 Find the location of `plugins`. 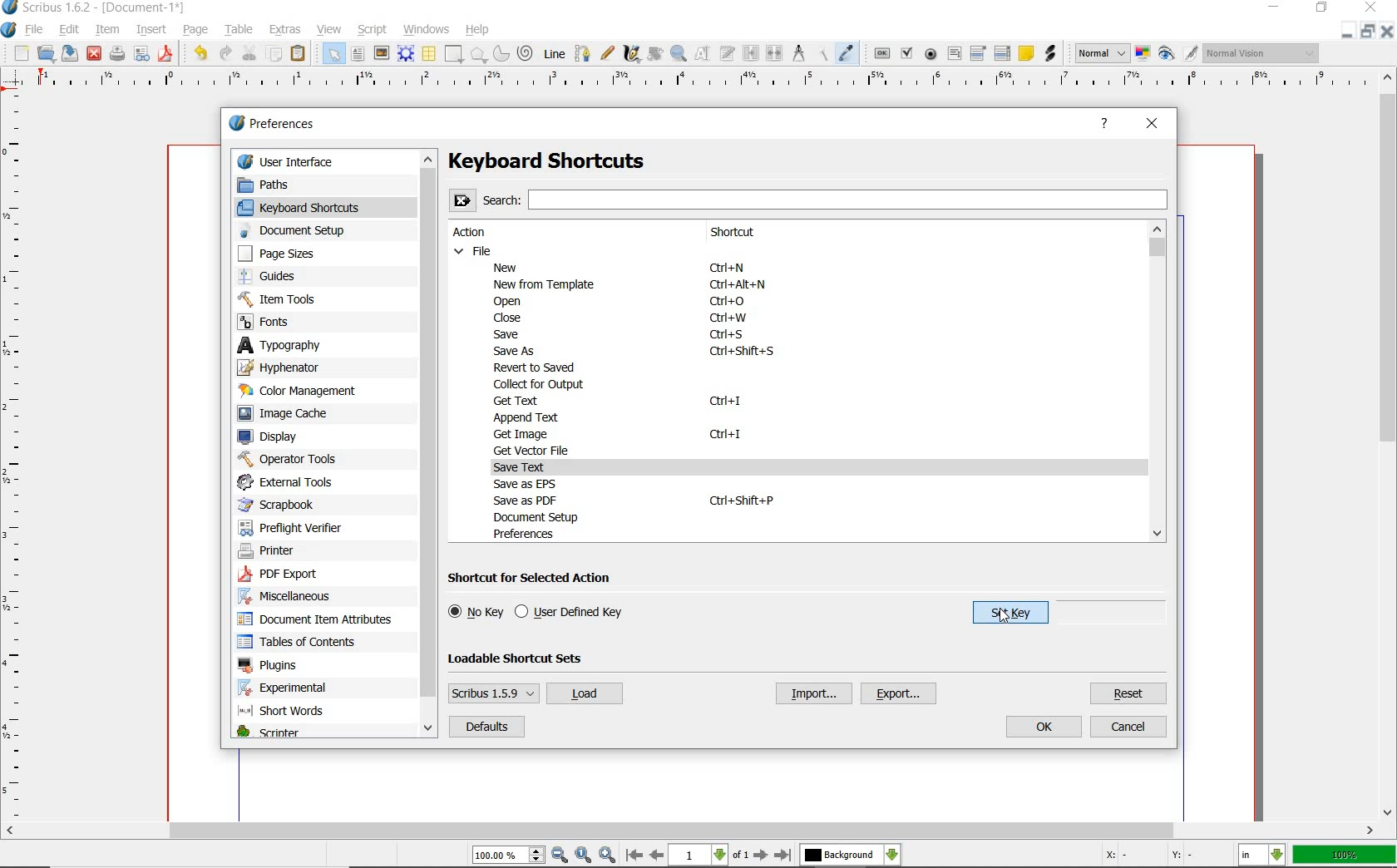

plugins is located at coordinates (270, 666).